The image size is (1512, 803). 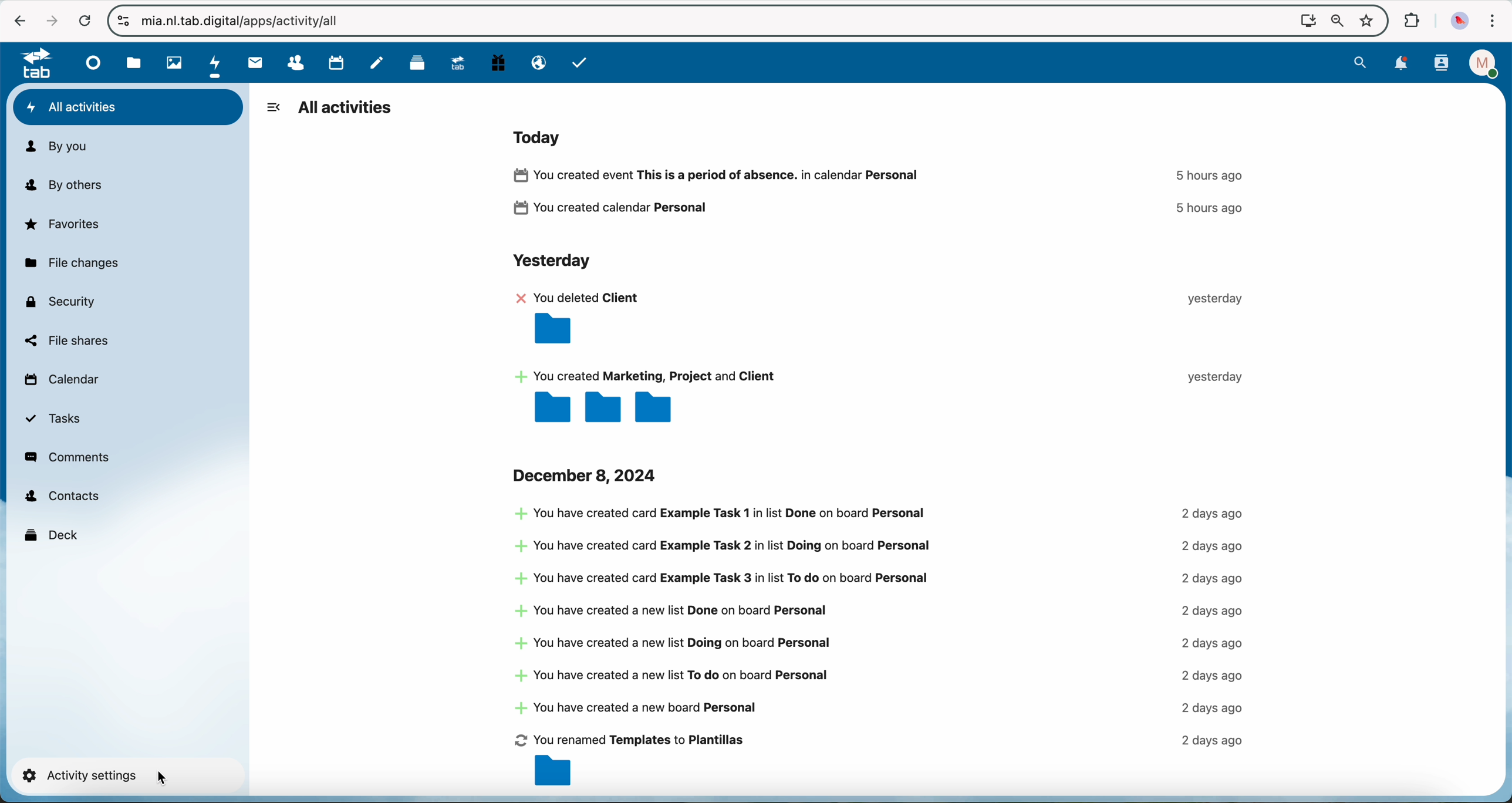 What do you see at coordinates (289, 63) in the screenshot?
I see `contacts` at bounding box center [289, 63].